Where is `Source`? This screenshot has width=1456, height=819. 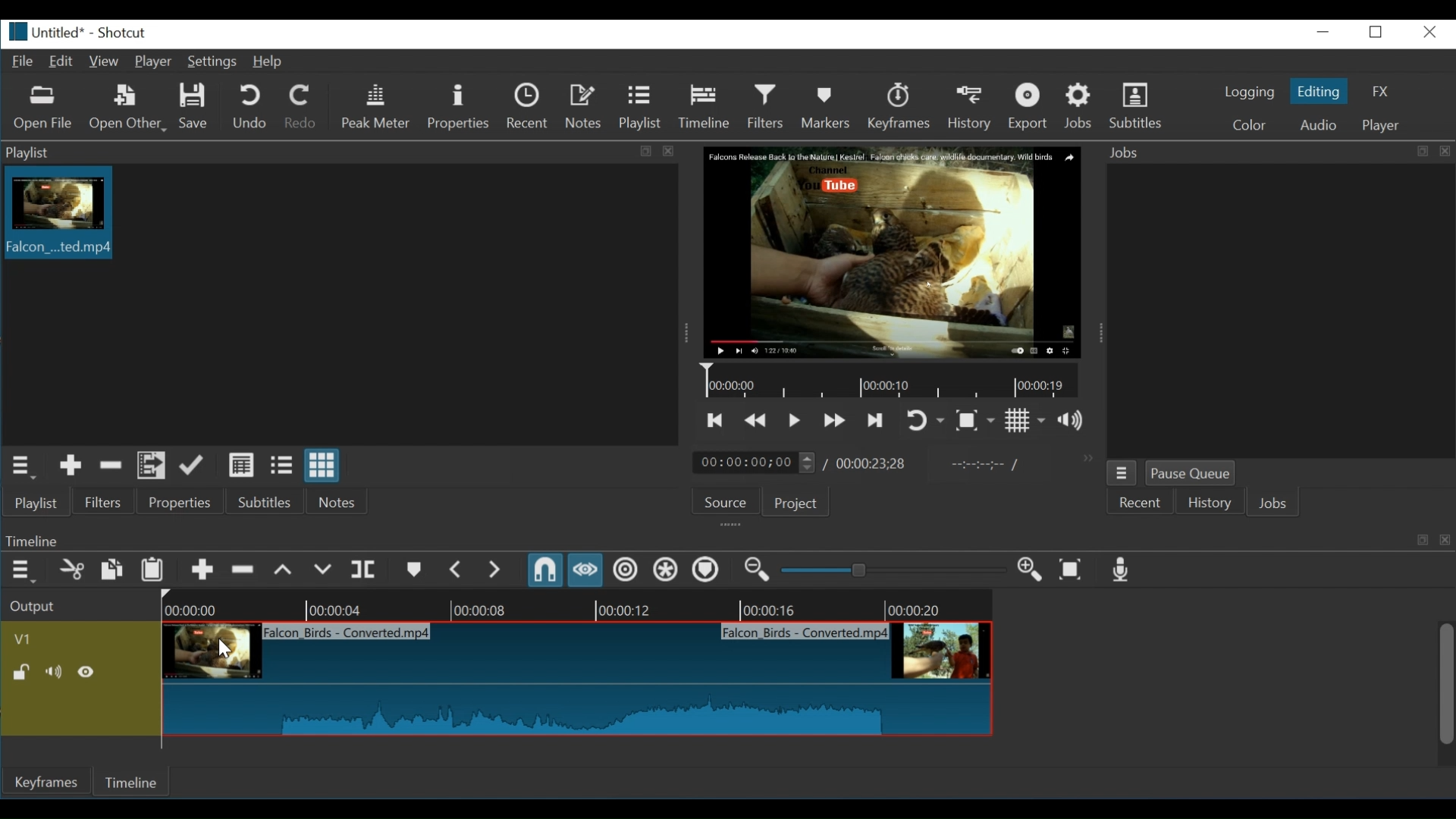 Source is located at coordinates (726, 504).